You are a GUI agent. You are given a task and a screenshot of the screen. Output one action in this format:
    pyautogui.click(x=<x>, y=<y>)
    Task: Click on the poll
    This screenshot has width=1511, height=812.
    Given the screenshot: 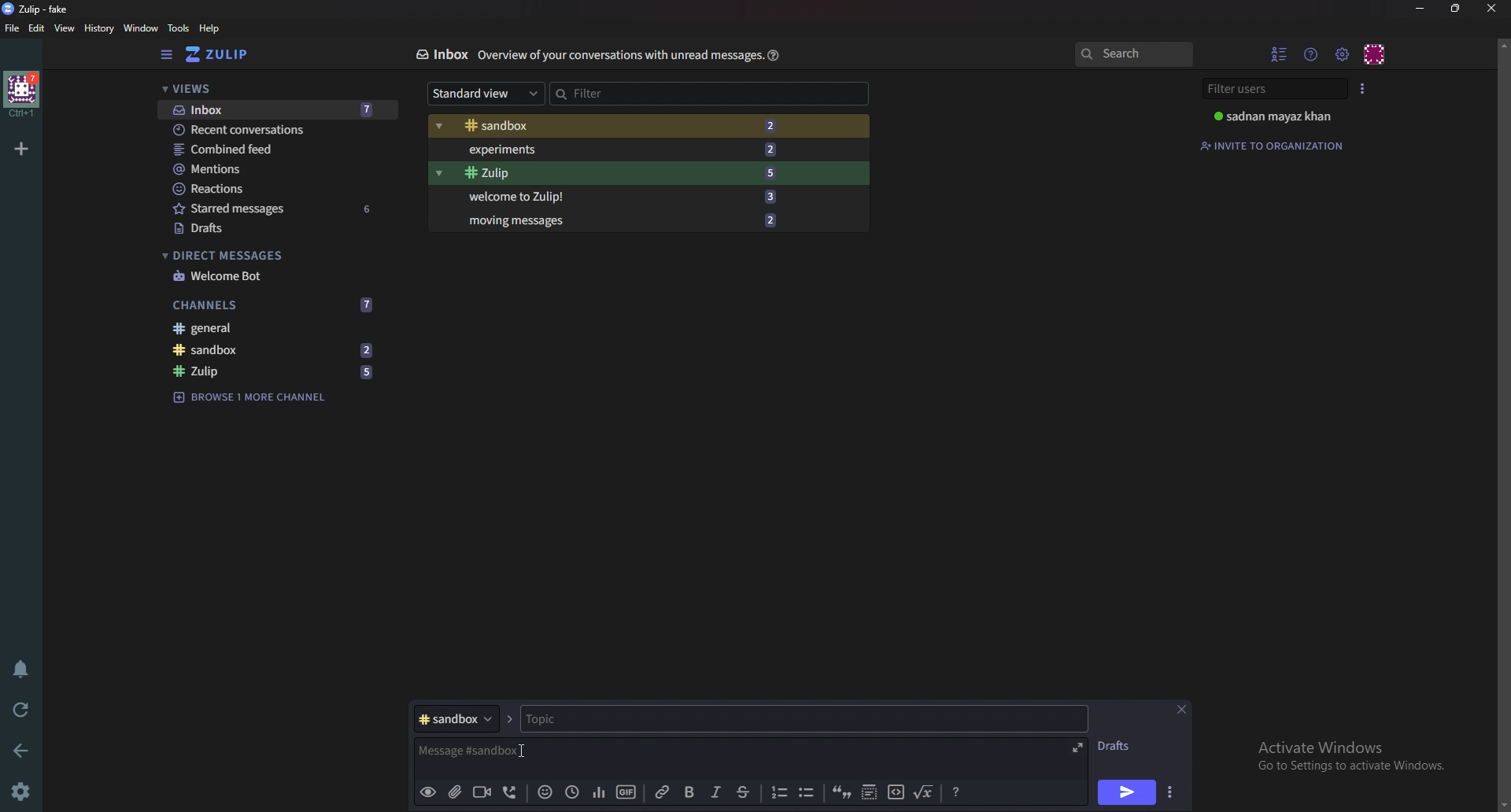 What is the action you would take?
    pyautogui.click(x=596, y=792)
    